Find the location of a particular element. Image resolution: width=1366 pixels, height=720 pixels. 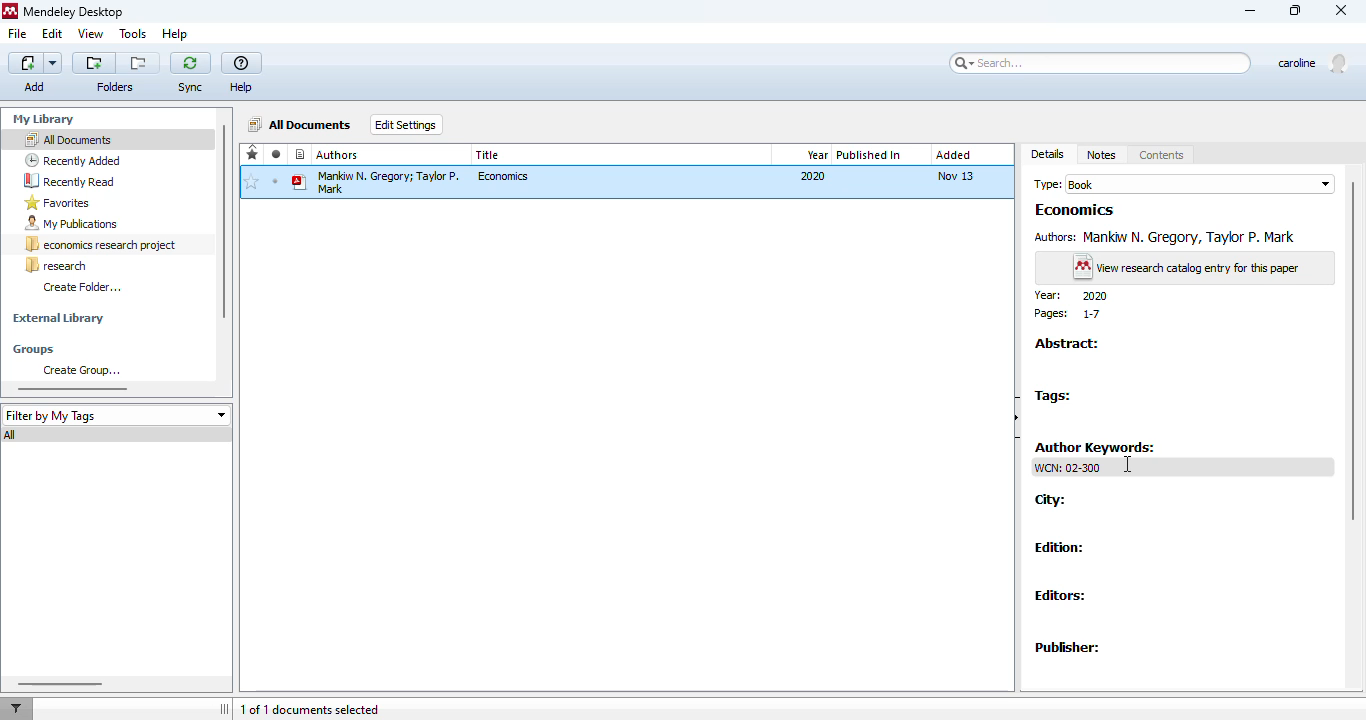

read/unread is located at coordinates (276, 153).